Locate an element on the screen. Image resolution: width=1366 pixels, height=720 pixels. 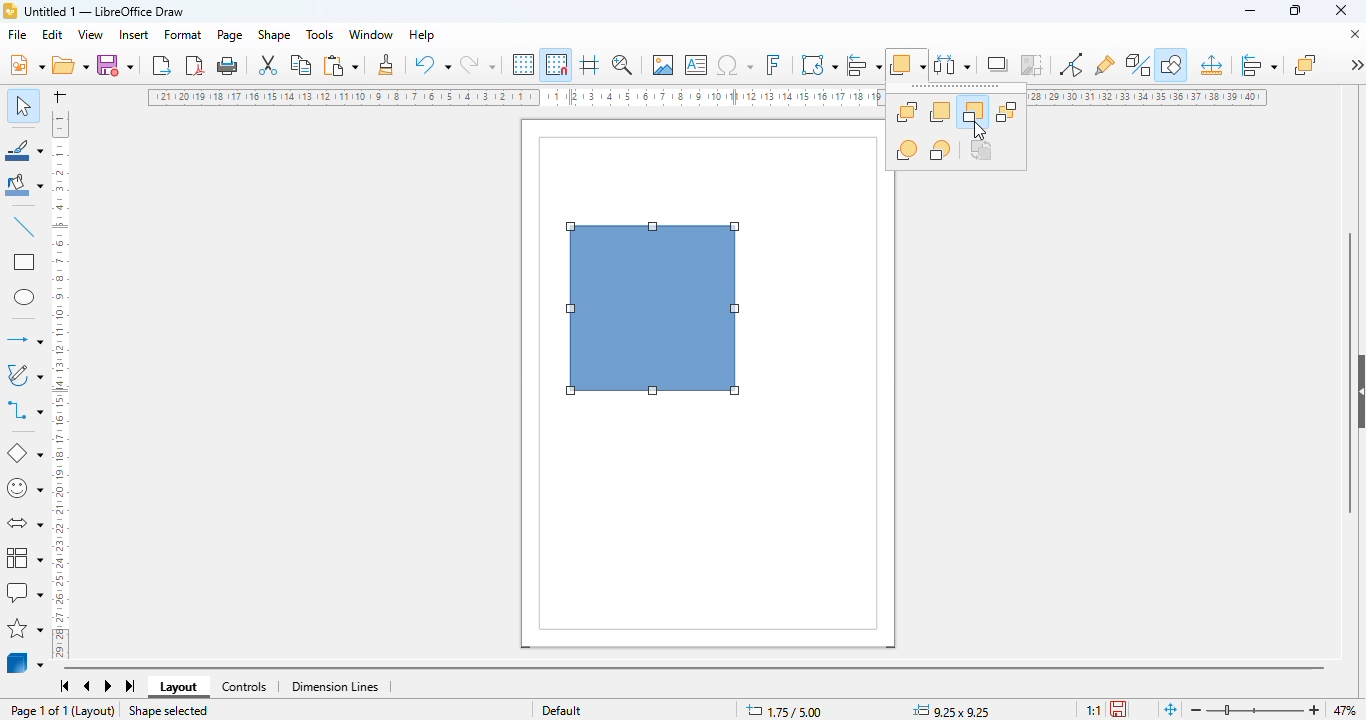
connectors is located at coordinates (25, 410).